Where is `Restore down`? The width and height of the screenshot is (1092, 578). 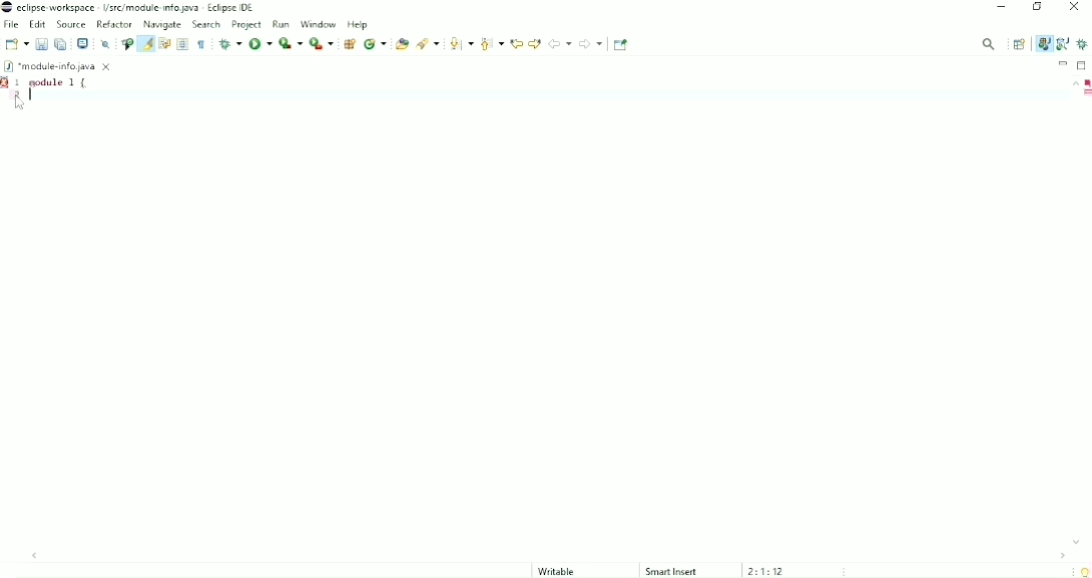 Restore down is located at coordinates (1038, 9).